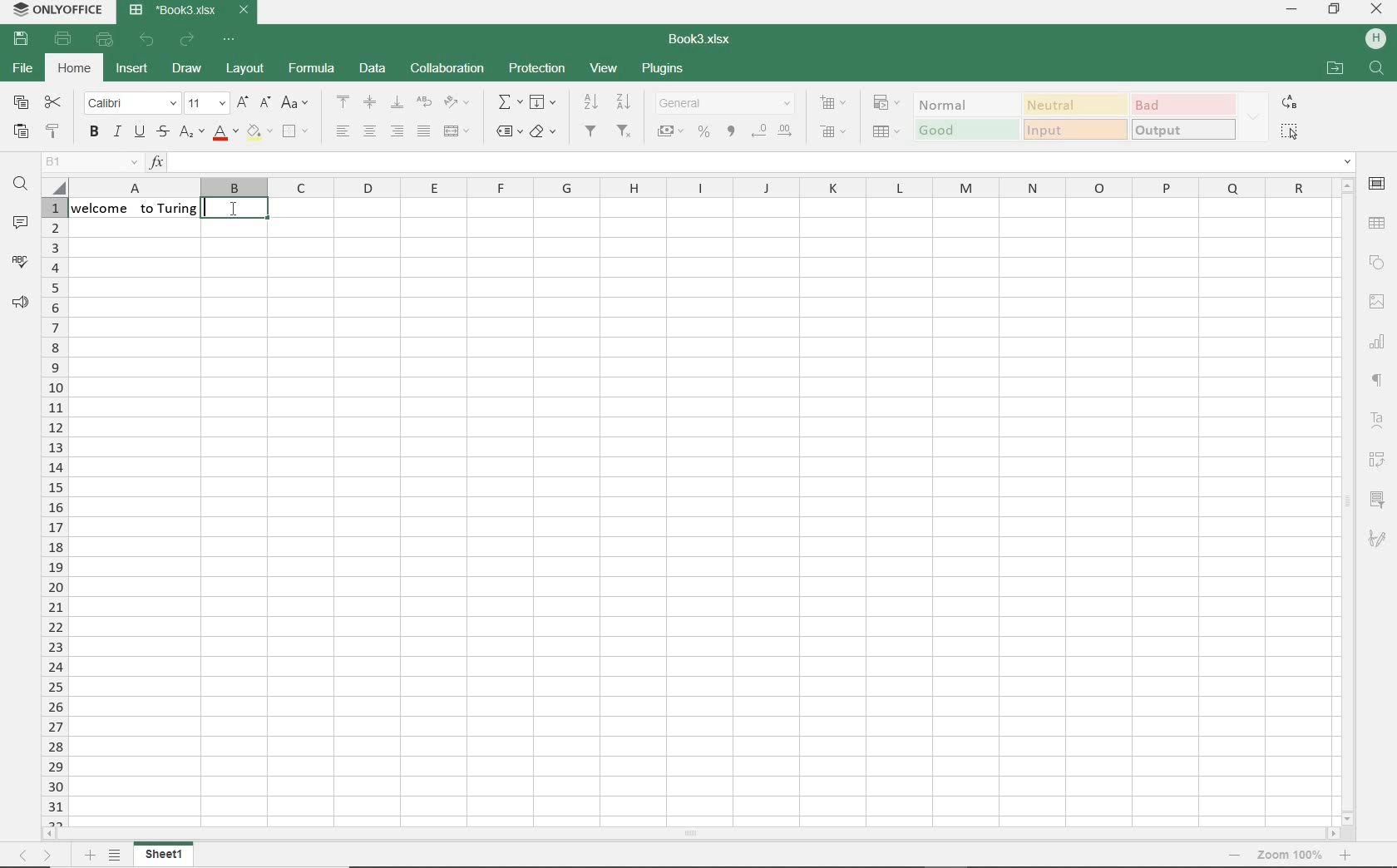  What do you see at coordinates (545, 133) in the screenshot?
I see `clear` at bounding box center [545, 133].